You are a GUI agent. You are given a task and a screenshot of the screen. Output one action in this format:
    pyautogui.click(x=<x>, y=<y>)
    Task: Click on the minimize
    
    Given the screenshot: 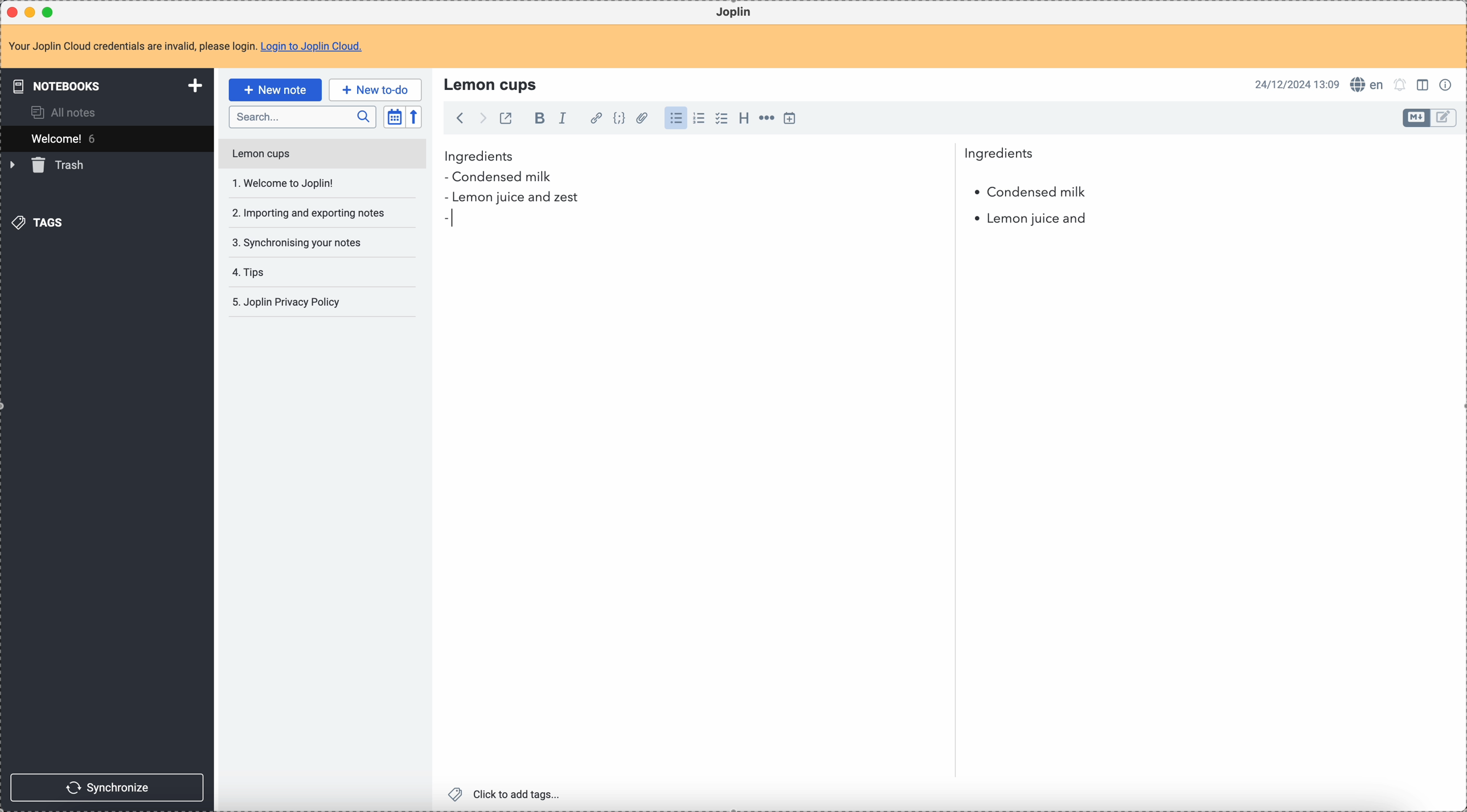 What is the action you would take?
    pyautogui.click(x=32, y=13)
    